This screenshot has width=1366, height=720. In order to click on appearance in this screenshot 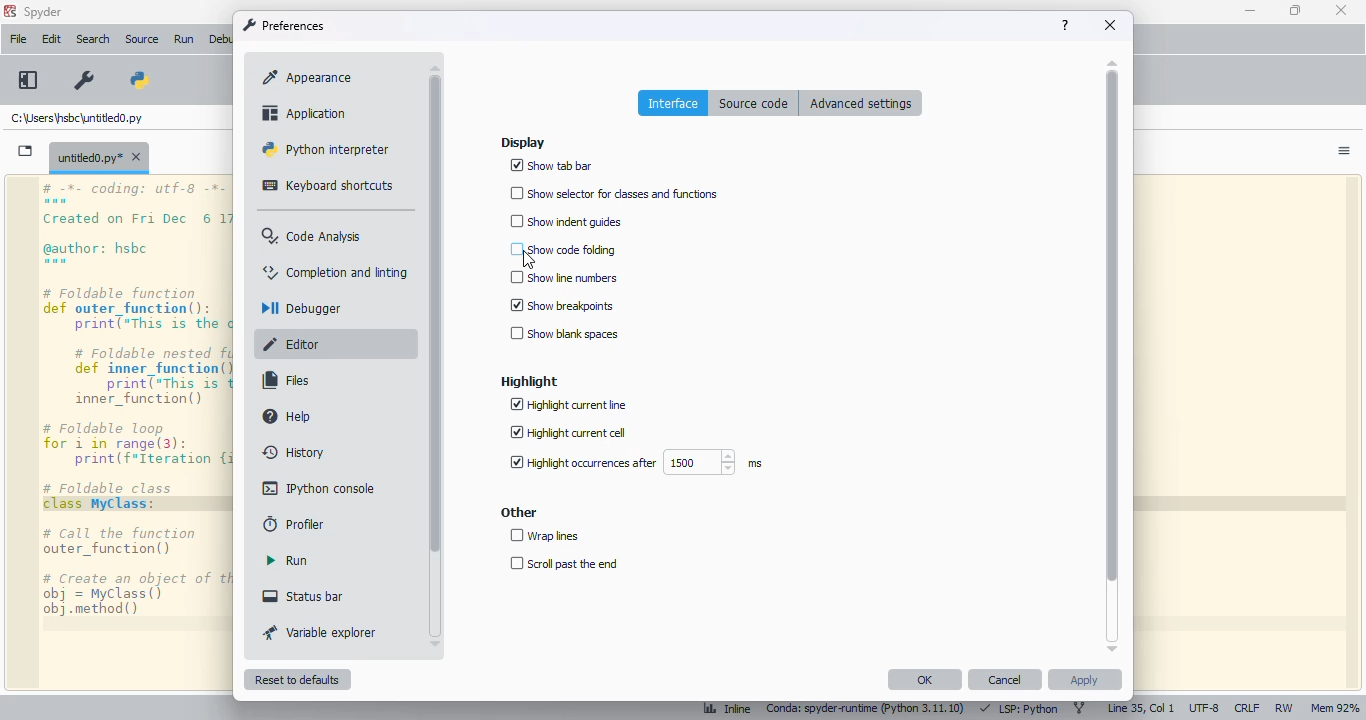, I will do `click(307, 78)`.